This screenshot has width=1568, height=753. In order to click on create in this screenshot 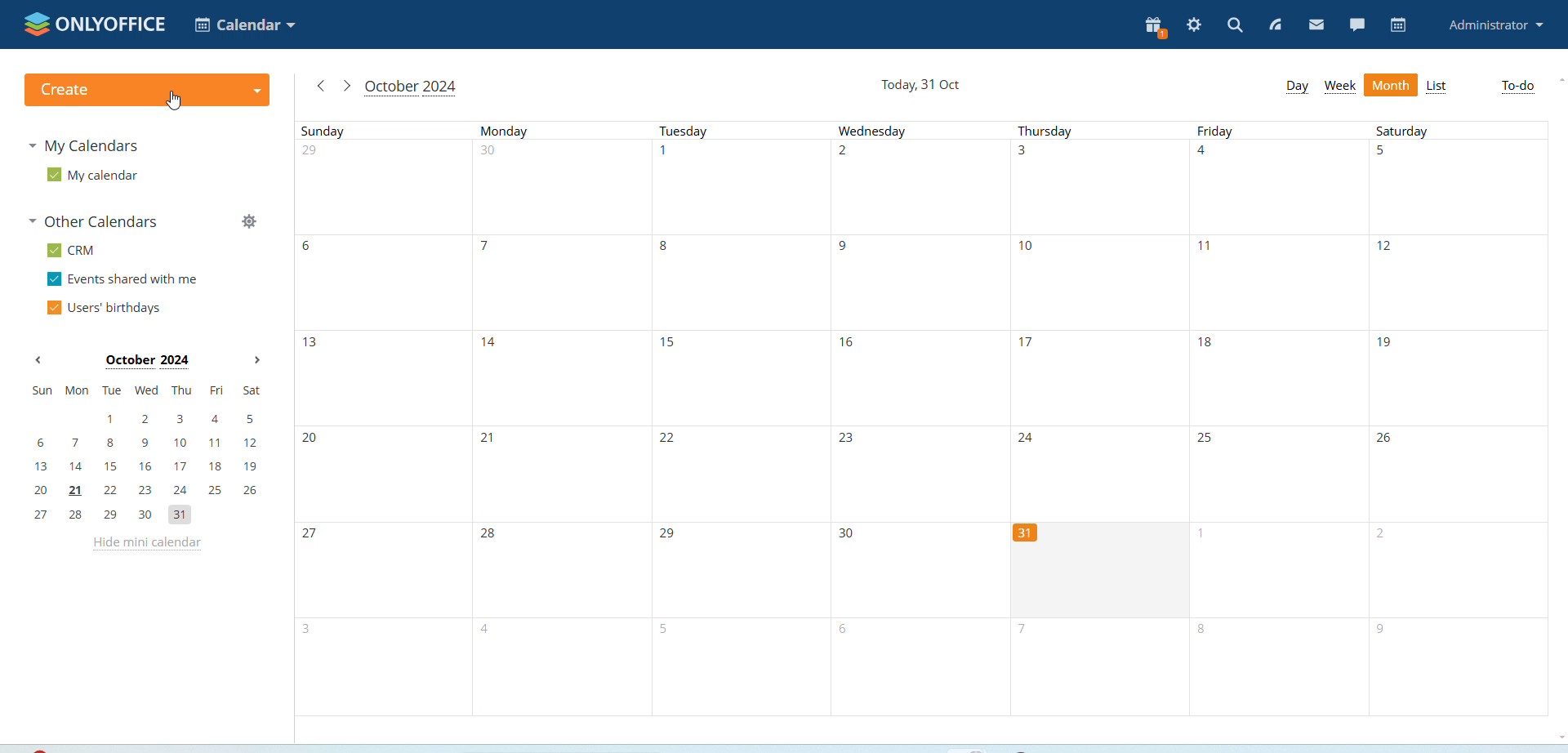, I will do `click(147, 90)`.